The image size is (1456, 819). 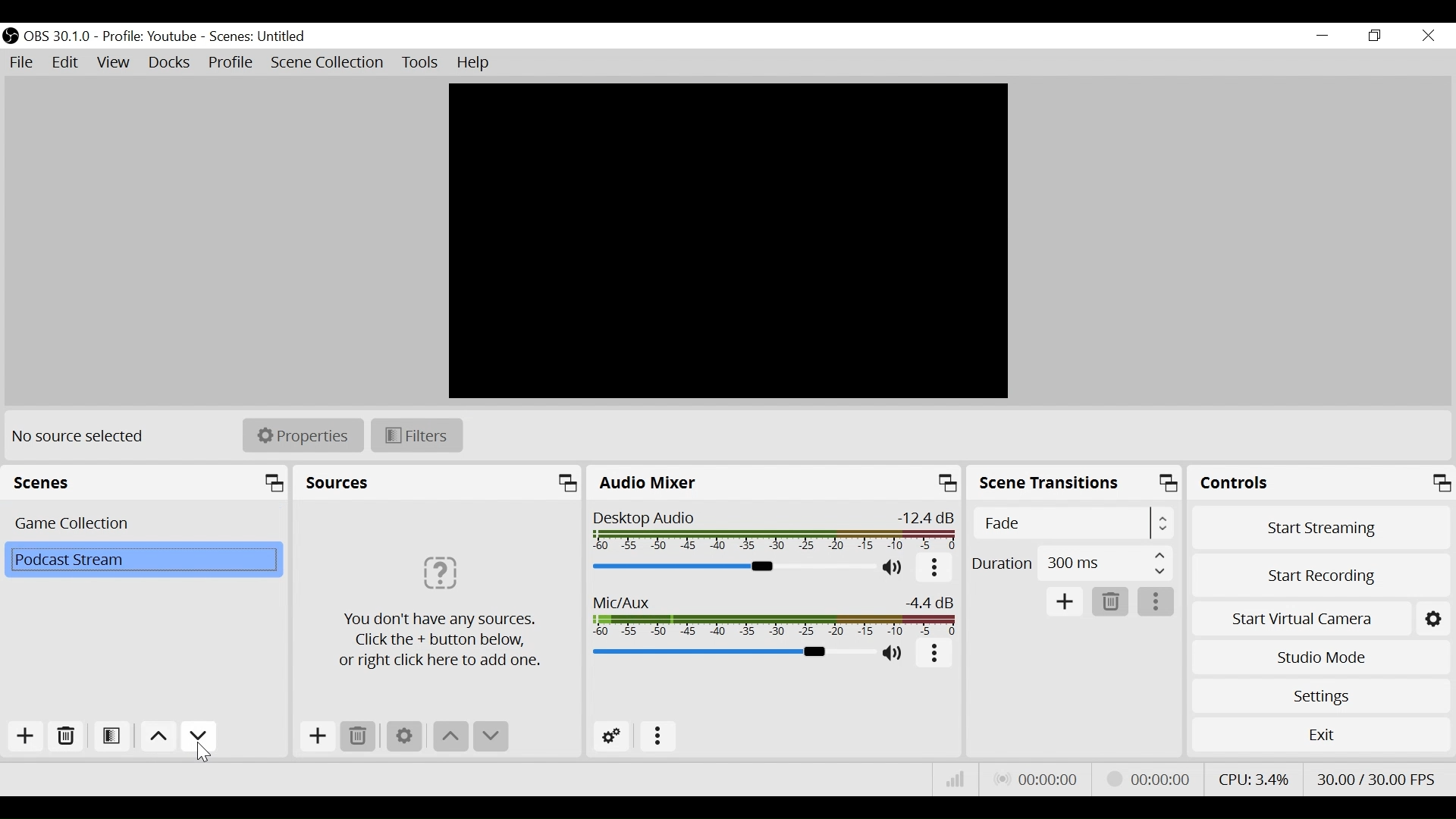 I want to click on Scenes Name, so click(x=262, y=36).